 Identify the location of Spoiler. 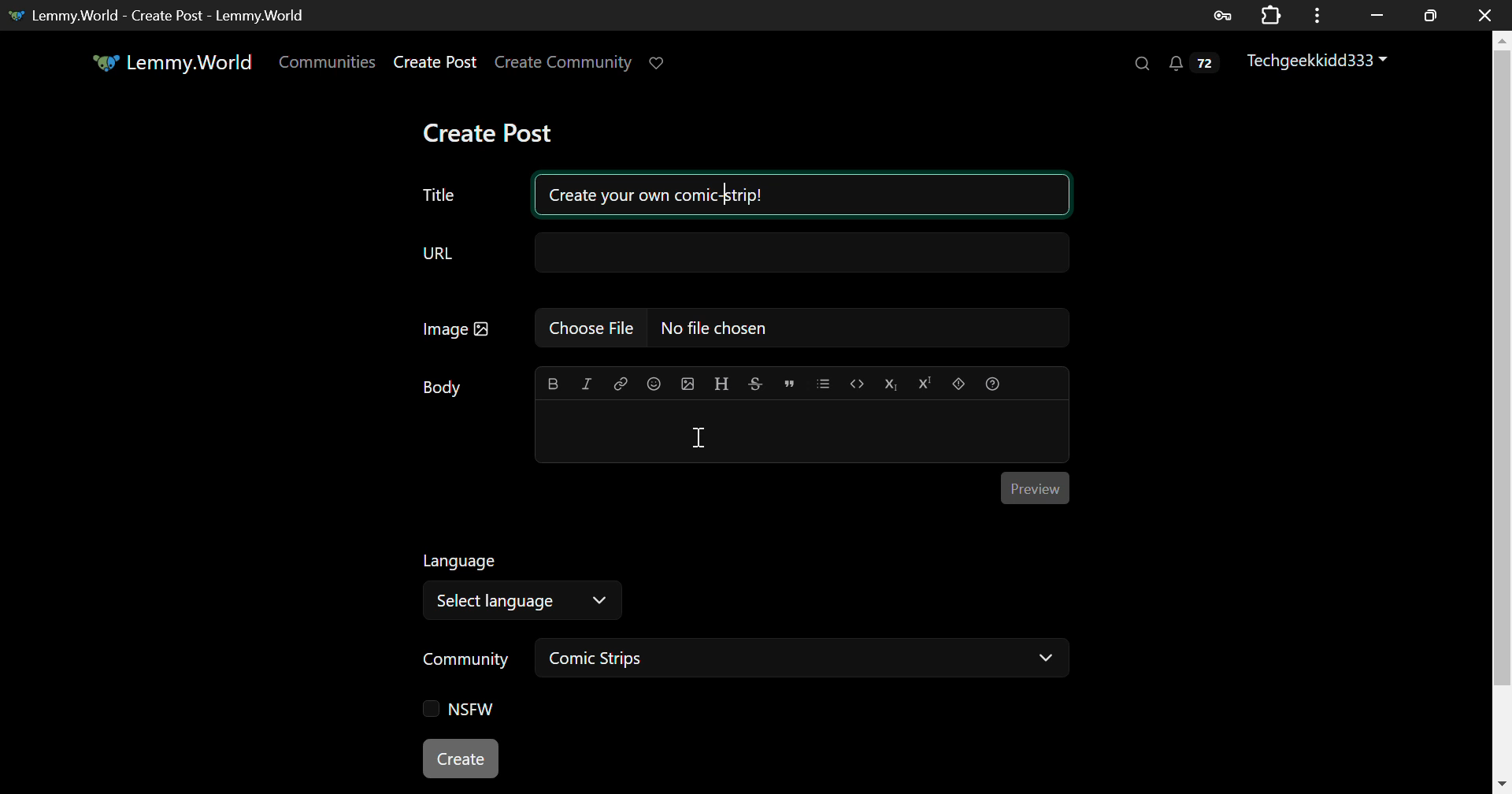
(958, 384).